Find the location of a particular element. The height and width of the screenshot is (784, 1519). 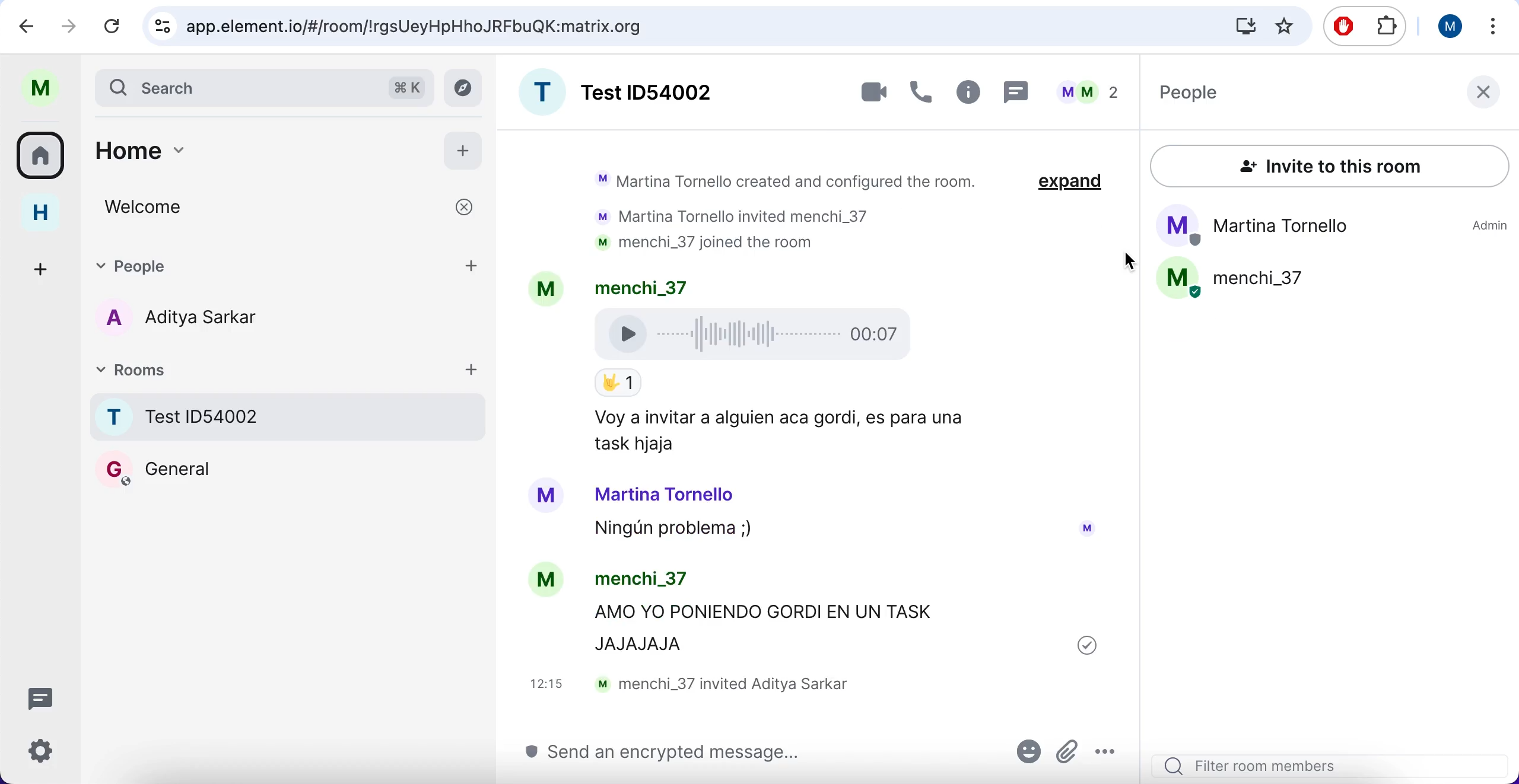

search filter is located at coordinates (1336, 761).